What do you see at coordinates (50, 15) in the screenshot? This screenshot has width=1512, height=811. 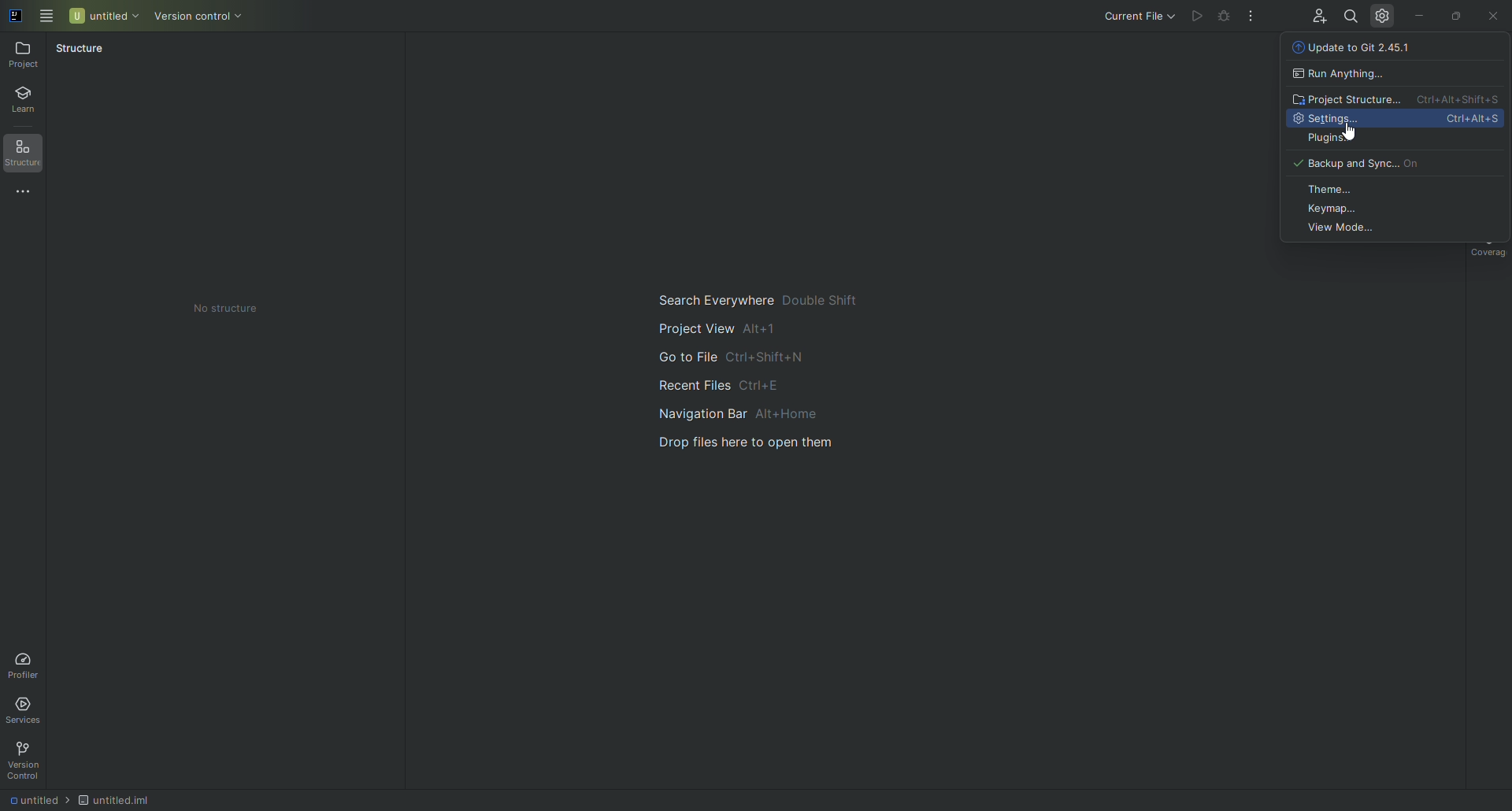 I see `Main Menu` at bounding box center [50, 15].